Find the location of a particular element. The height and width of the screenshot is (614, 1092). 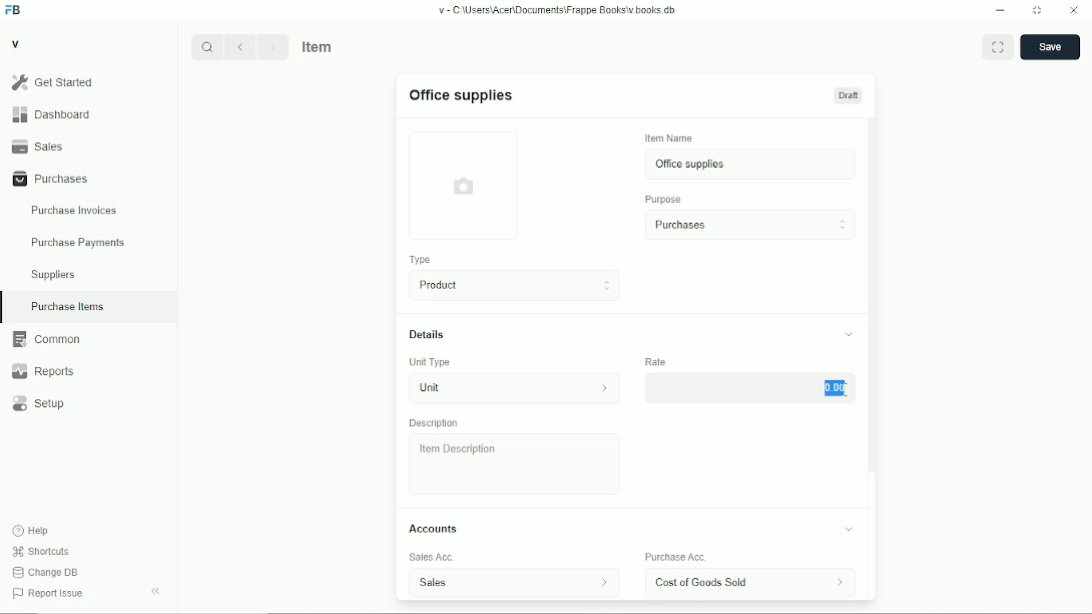

office supplies is located at coordinates (751, 164).